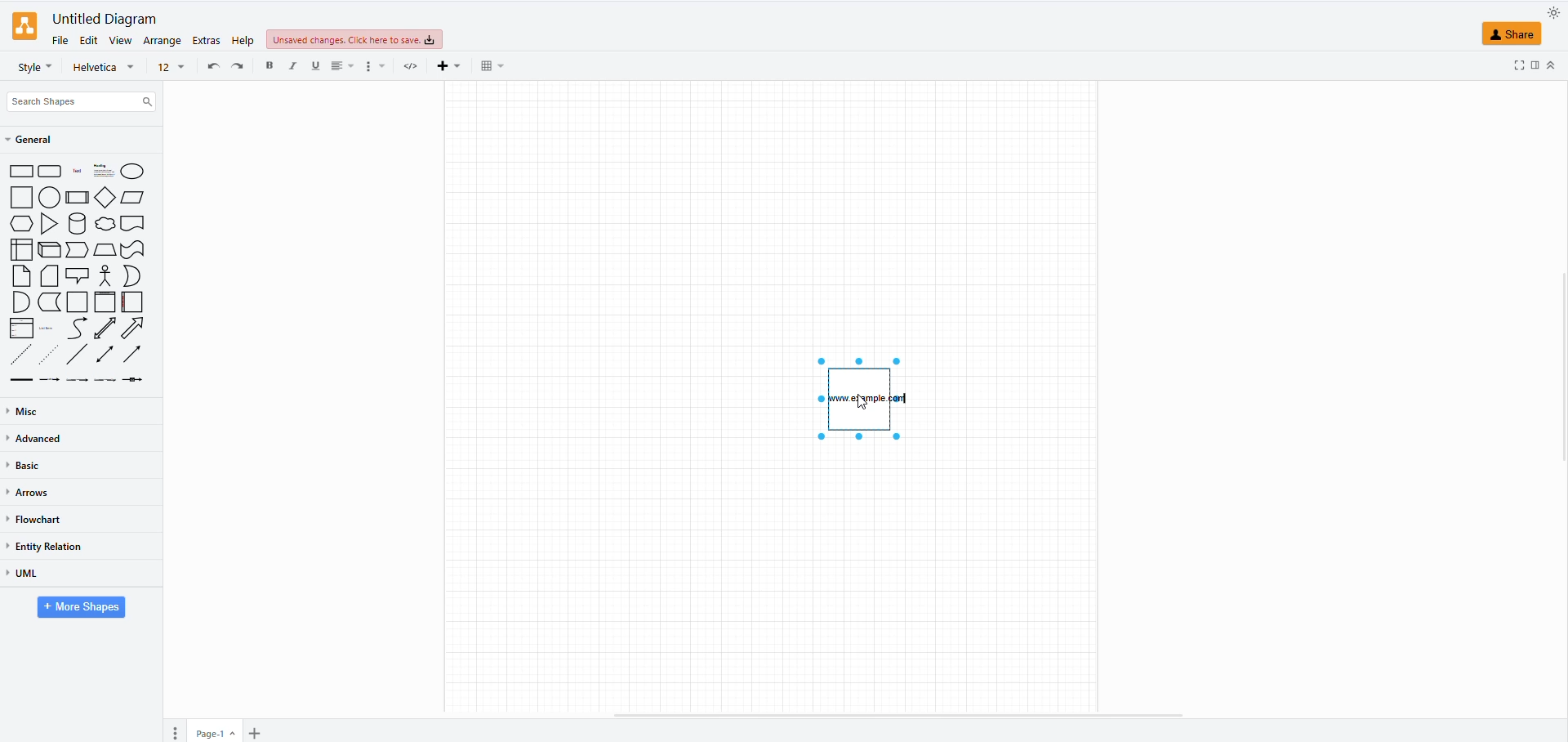 Image resolution: width=1568 pixels, height=742 pixels. What do you see at coordinates (342, 66) in the screenshot?
I see `align` at bounding box center [342, 66].